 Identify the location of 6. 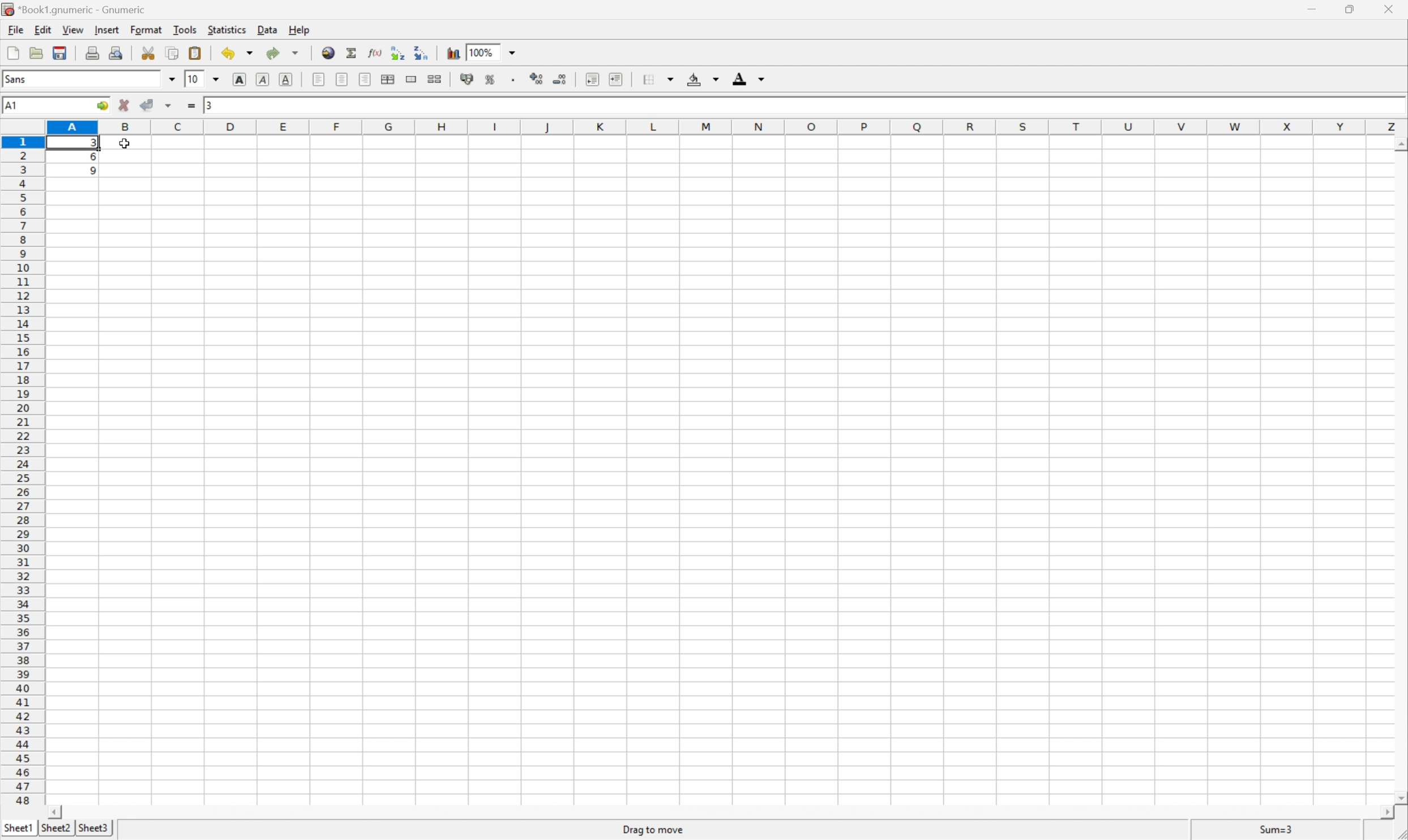
(88, 158).